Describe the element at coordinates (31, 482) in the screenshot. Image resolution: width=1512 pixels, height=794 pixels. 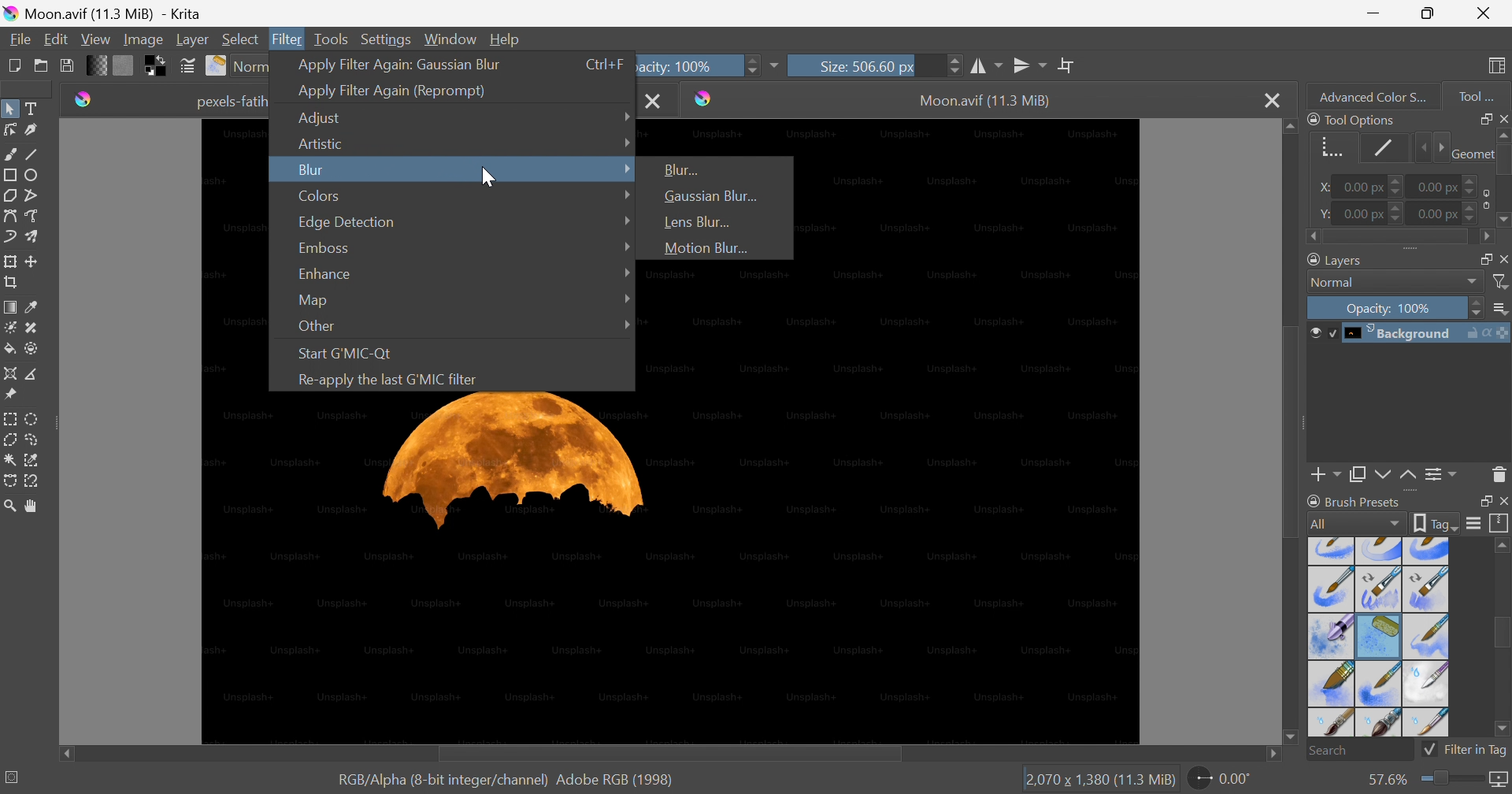
I see `Magnetic curve selection tool` at that location.